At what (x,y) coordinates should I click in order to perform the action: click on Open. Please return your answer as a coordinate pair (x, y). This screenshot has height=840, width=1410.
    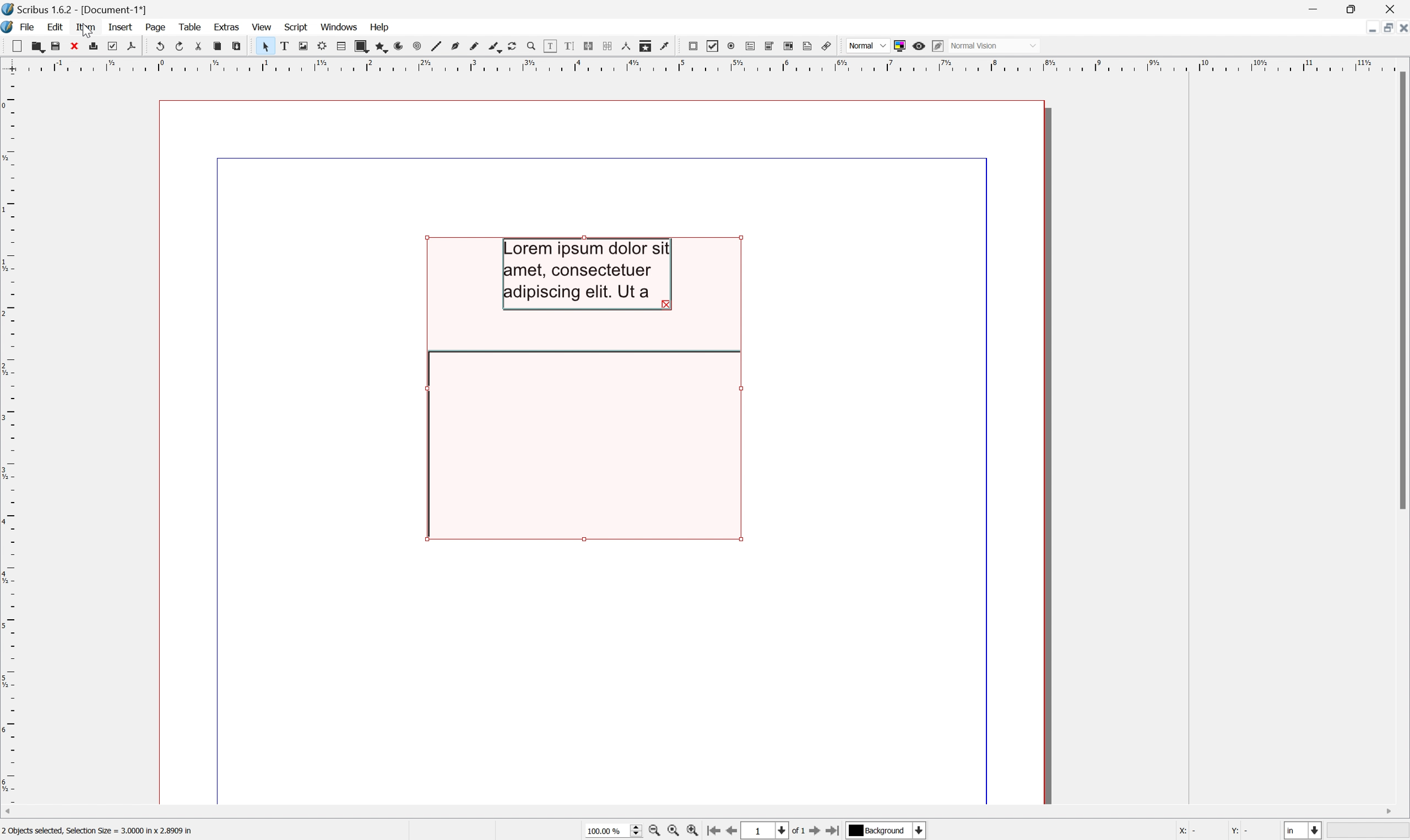
    Looking at the image, I should click on (33, 47).